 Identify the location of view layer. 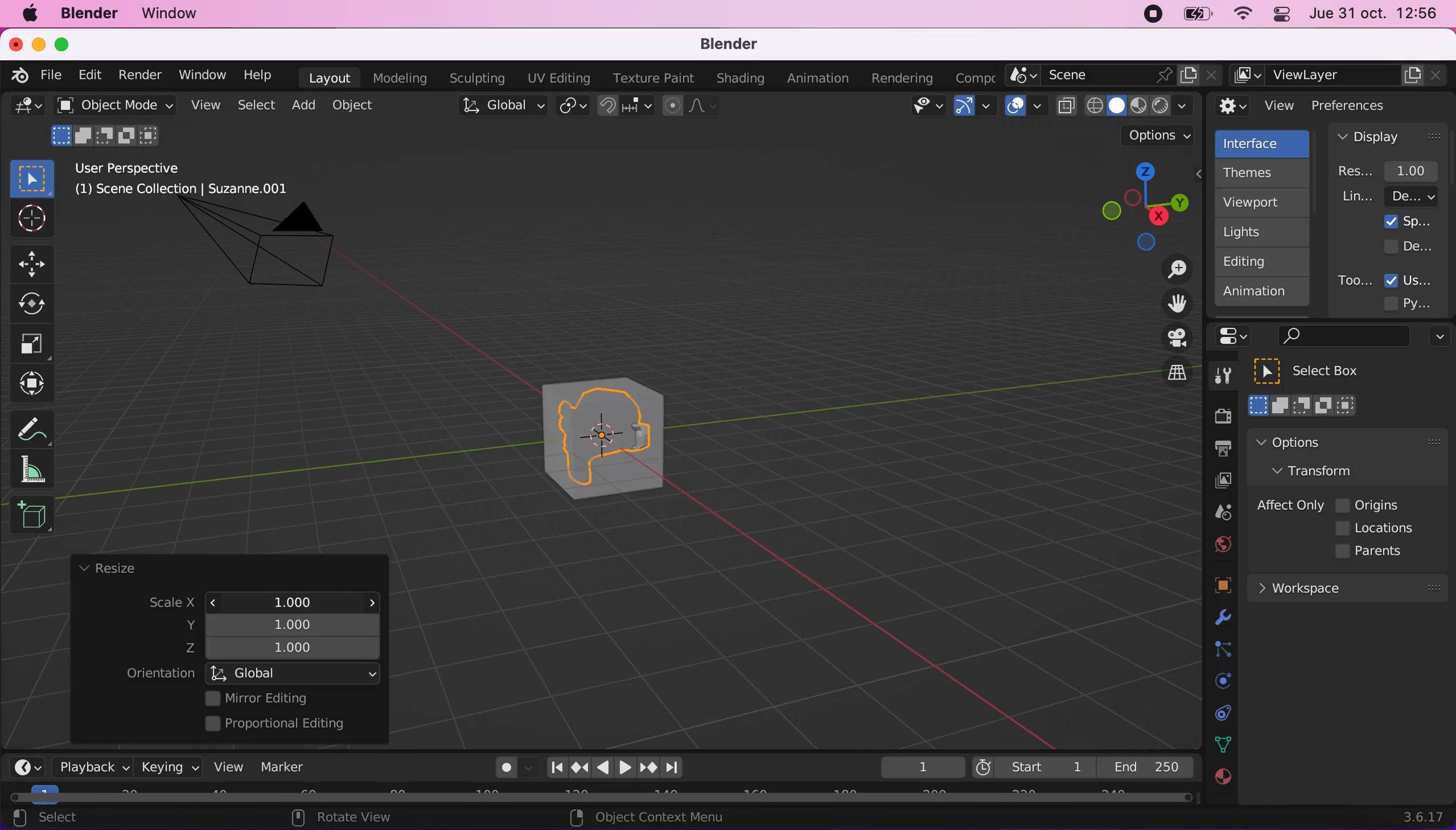
(1217, 482).